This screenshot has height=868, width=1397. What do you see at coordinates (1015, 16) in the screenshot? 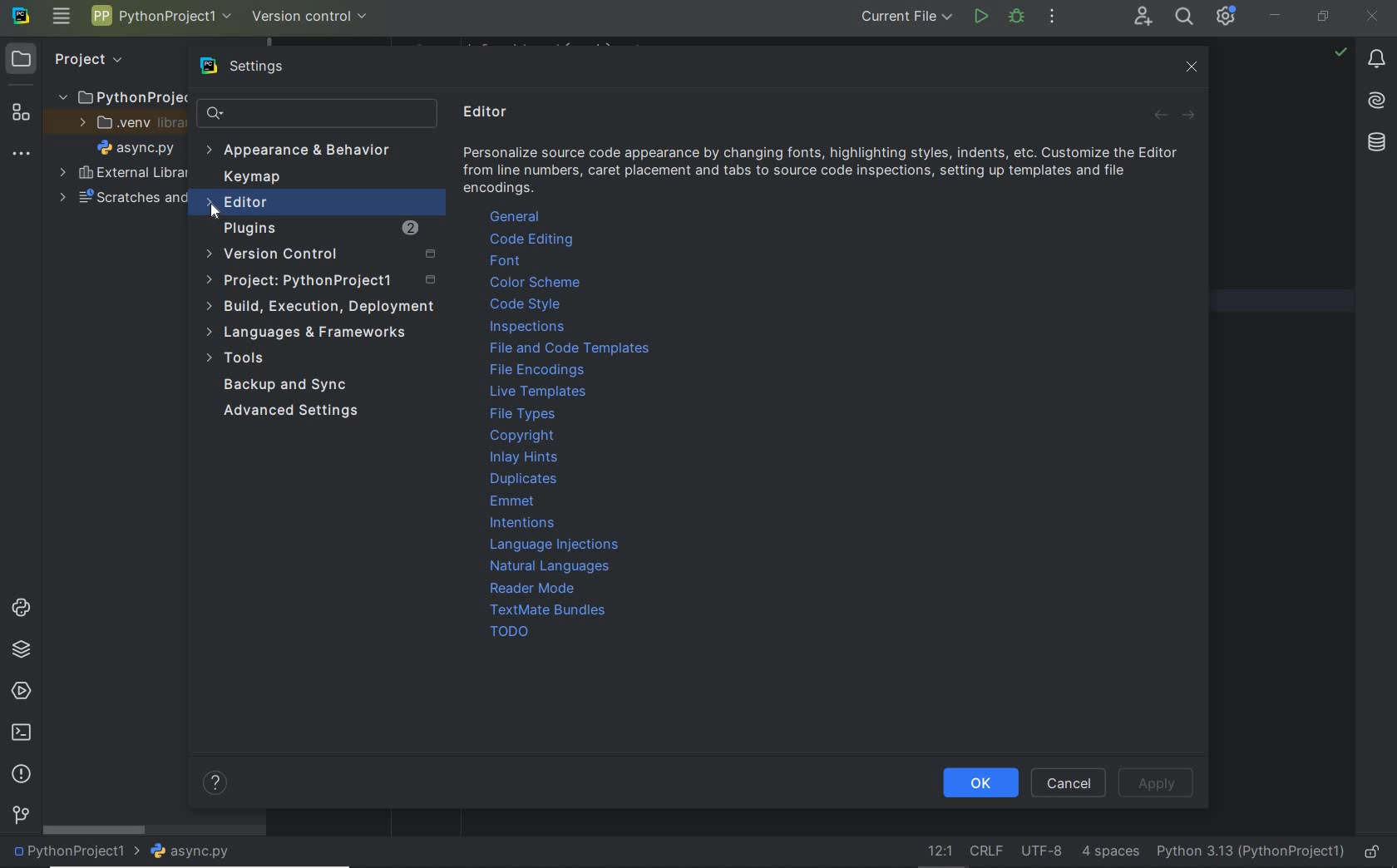
I see `bug` at bounding box center [1015, 16].